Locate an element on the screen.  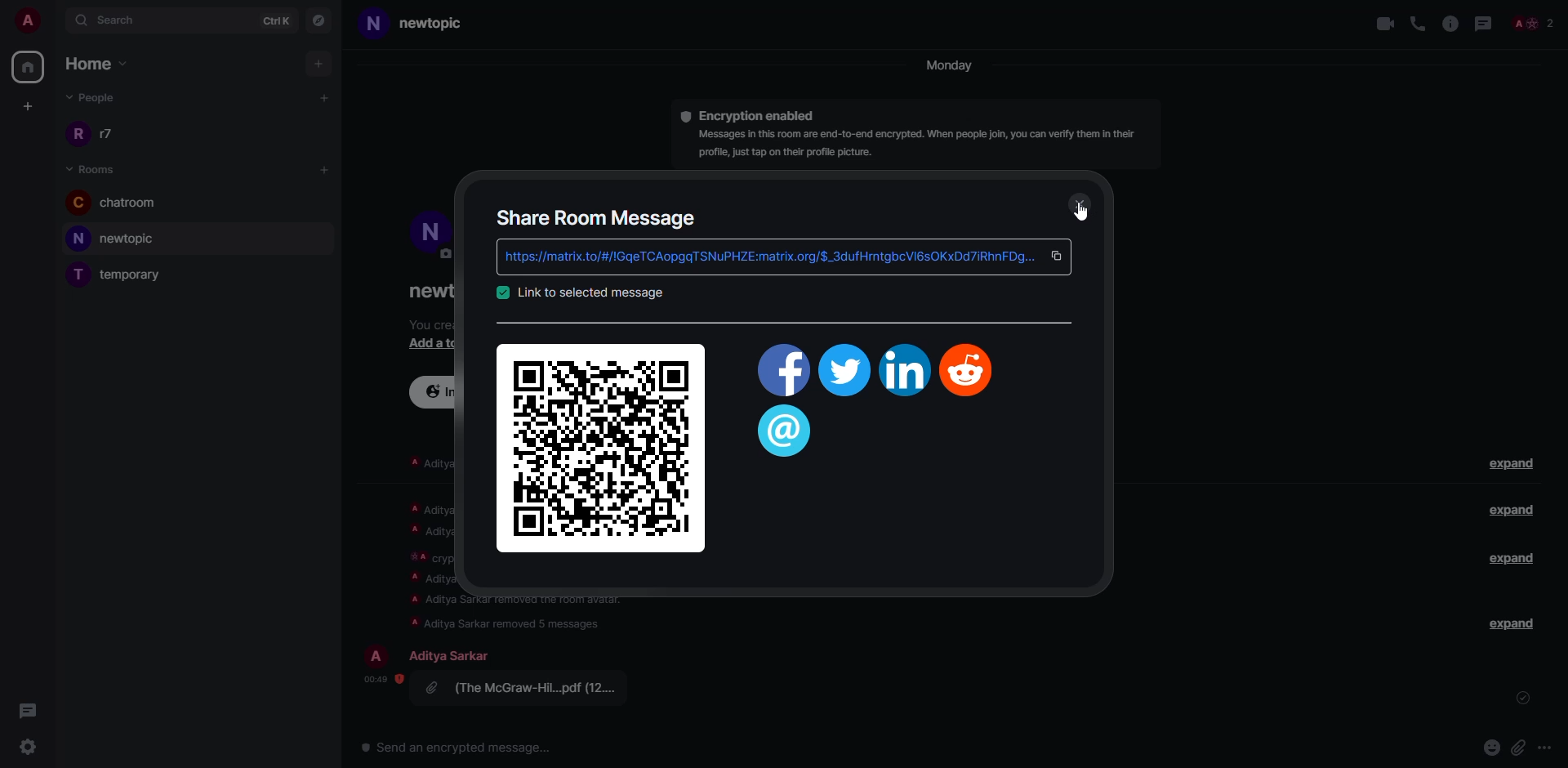
create space is located at coordinates (25, 105).